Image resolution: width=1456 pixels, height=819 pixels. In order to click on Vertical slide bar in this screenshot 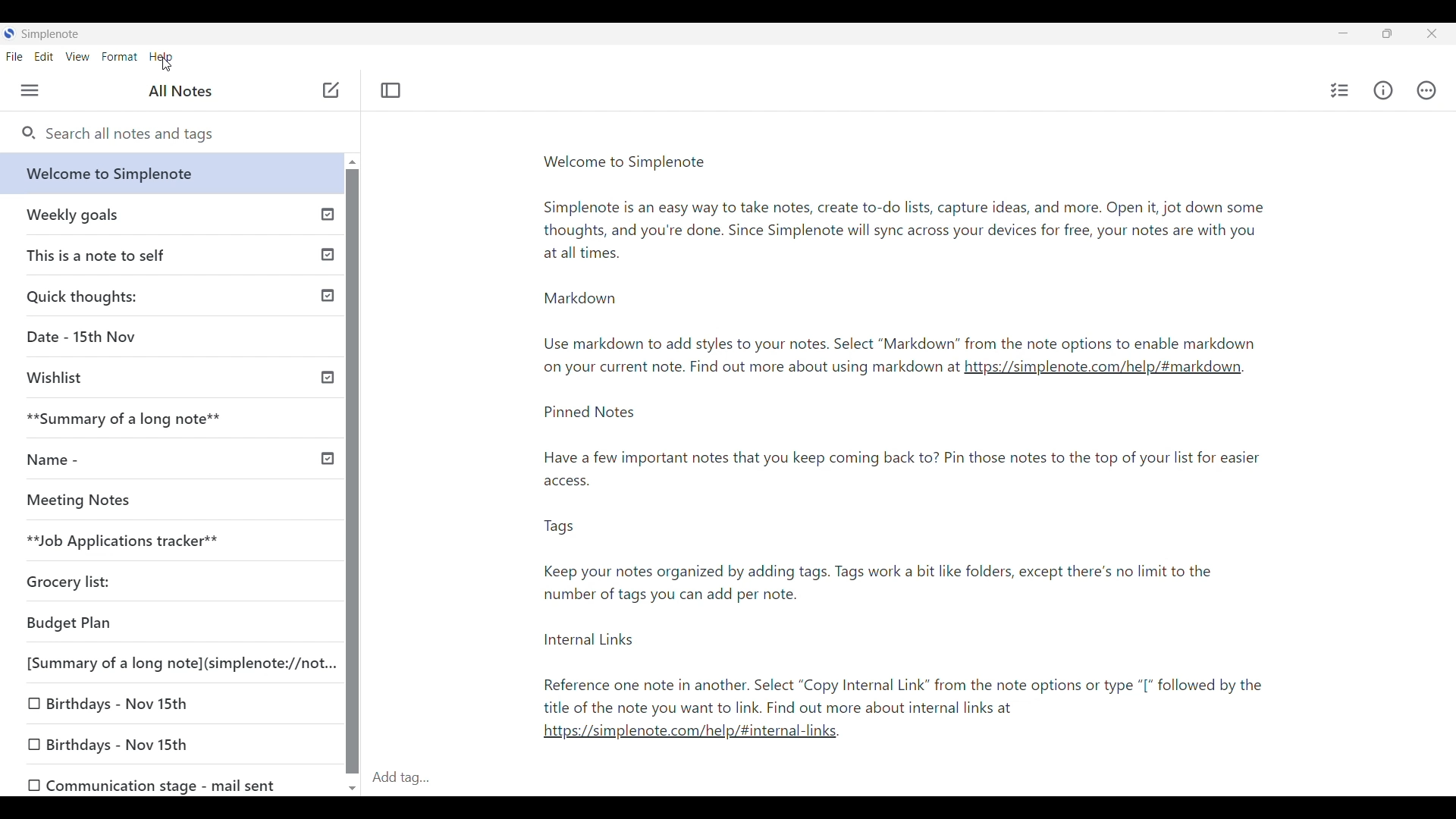, I will do `click(352, 472)`.